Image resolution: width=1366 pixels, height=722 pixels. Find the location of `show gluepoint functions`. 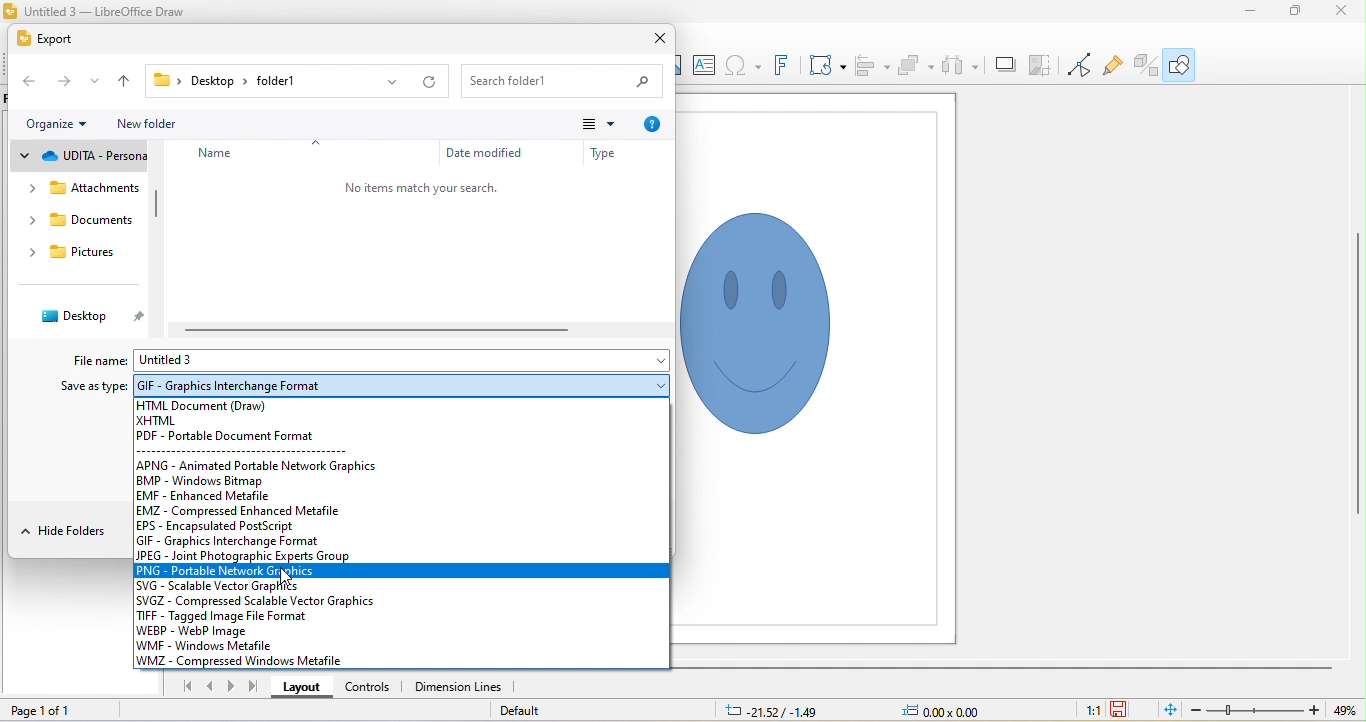

show gluepoint functions is located at coordinates (1112, 69).